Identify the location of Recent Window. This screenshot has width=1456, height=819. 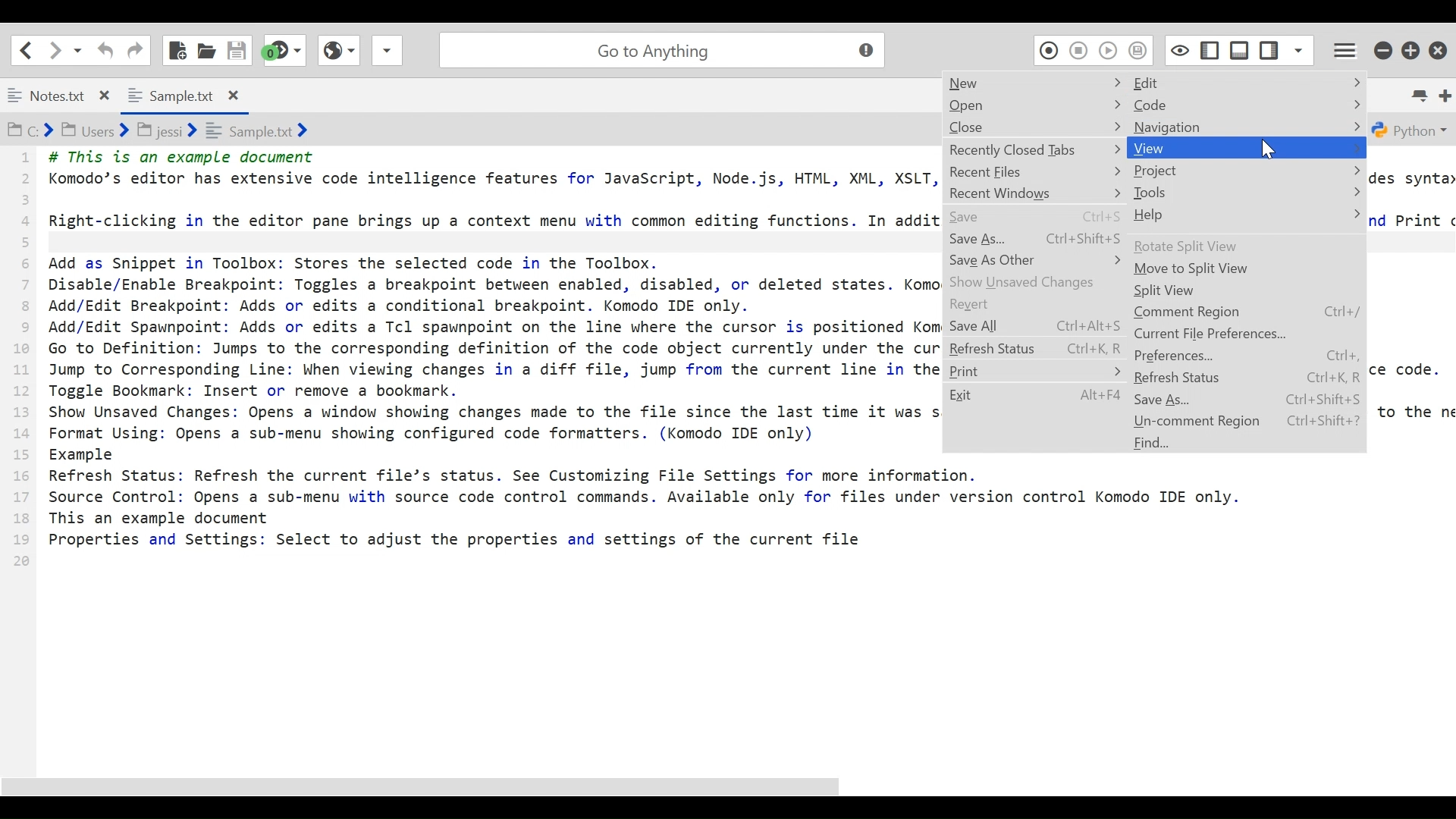
(1038, 193).